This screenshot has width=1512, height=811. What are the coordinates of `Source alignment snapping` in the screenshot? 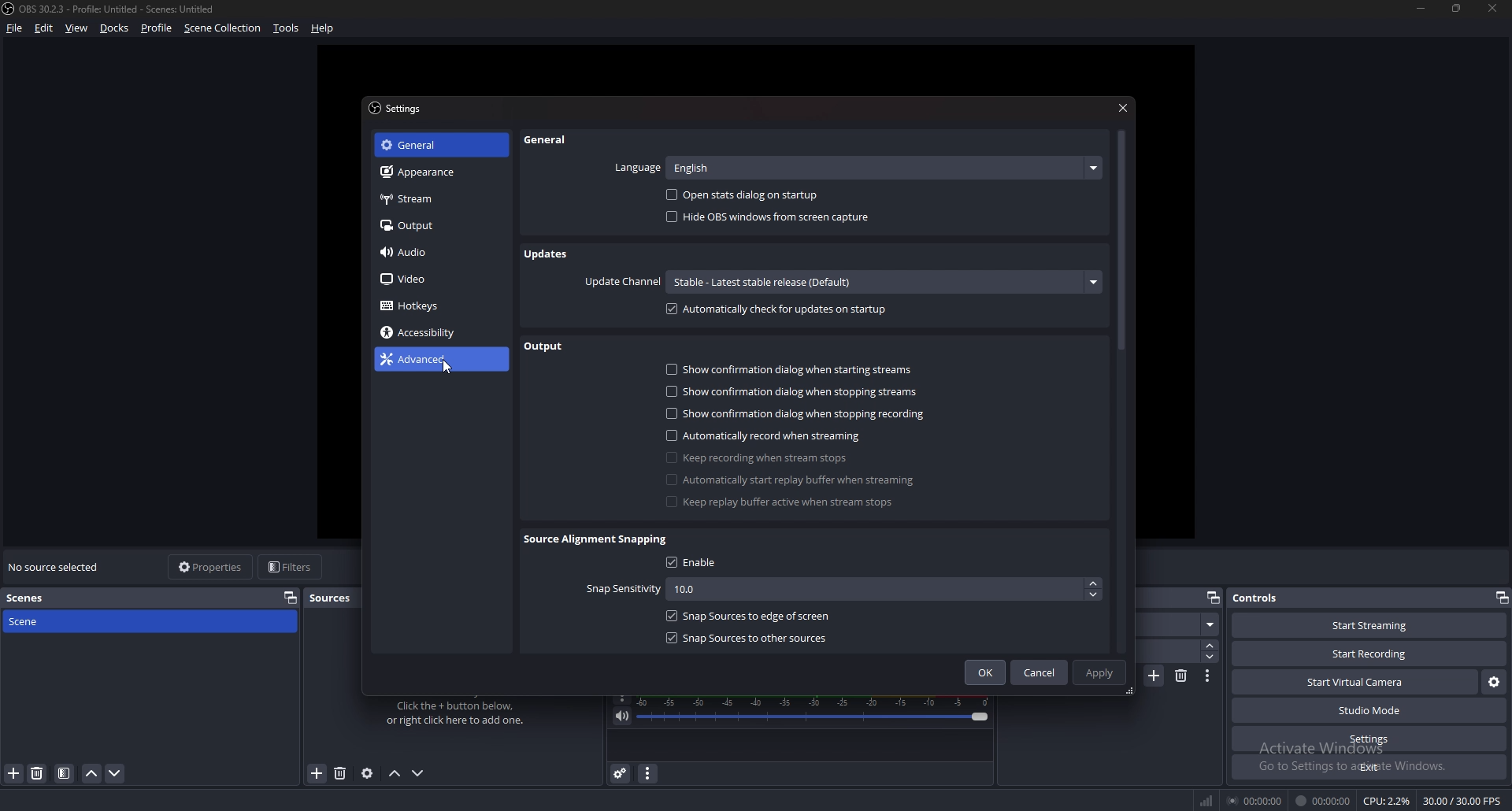 It's located at (598, 539).